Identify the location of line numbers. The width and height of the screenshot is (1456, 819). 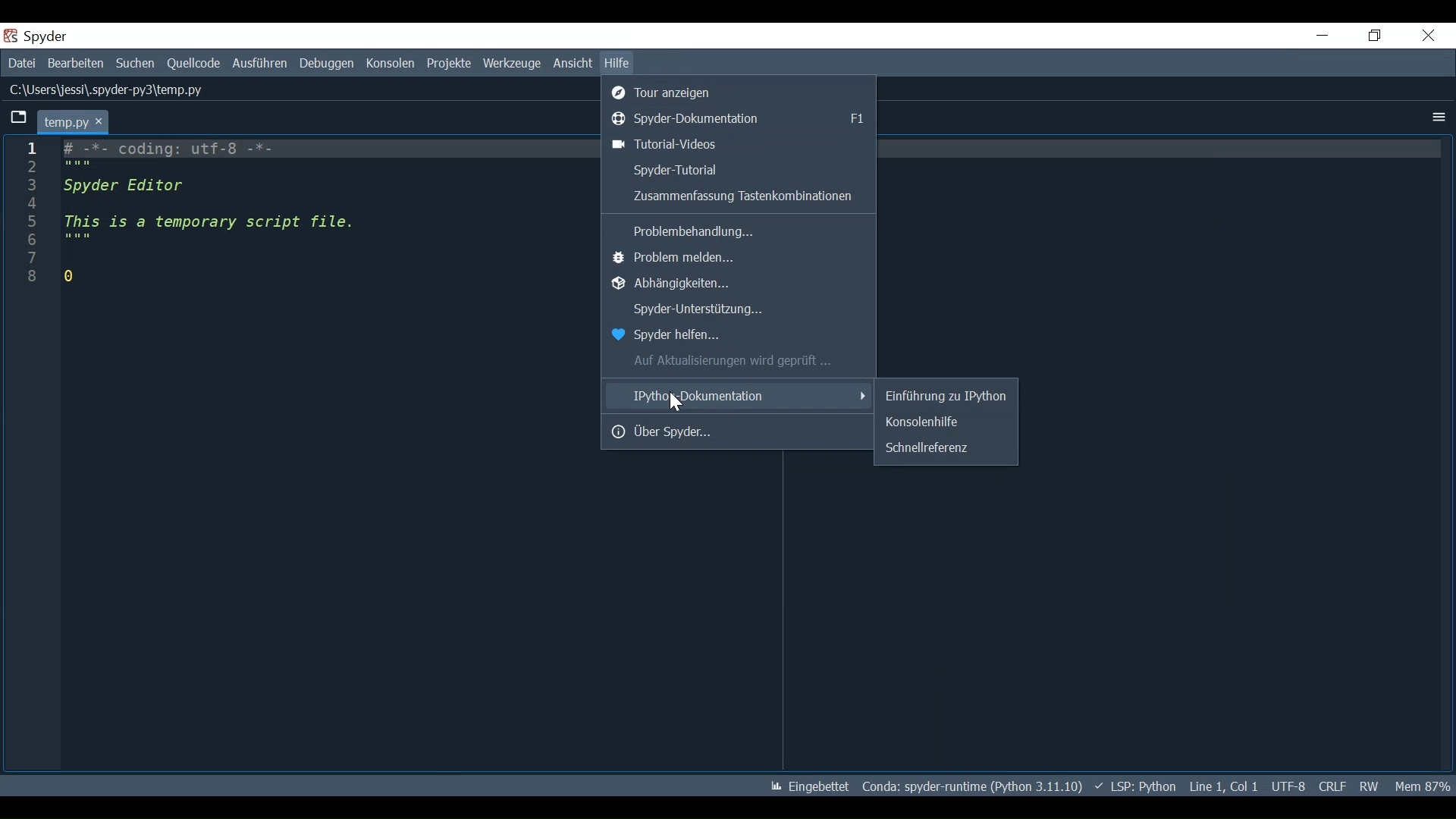
(29, 221).